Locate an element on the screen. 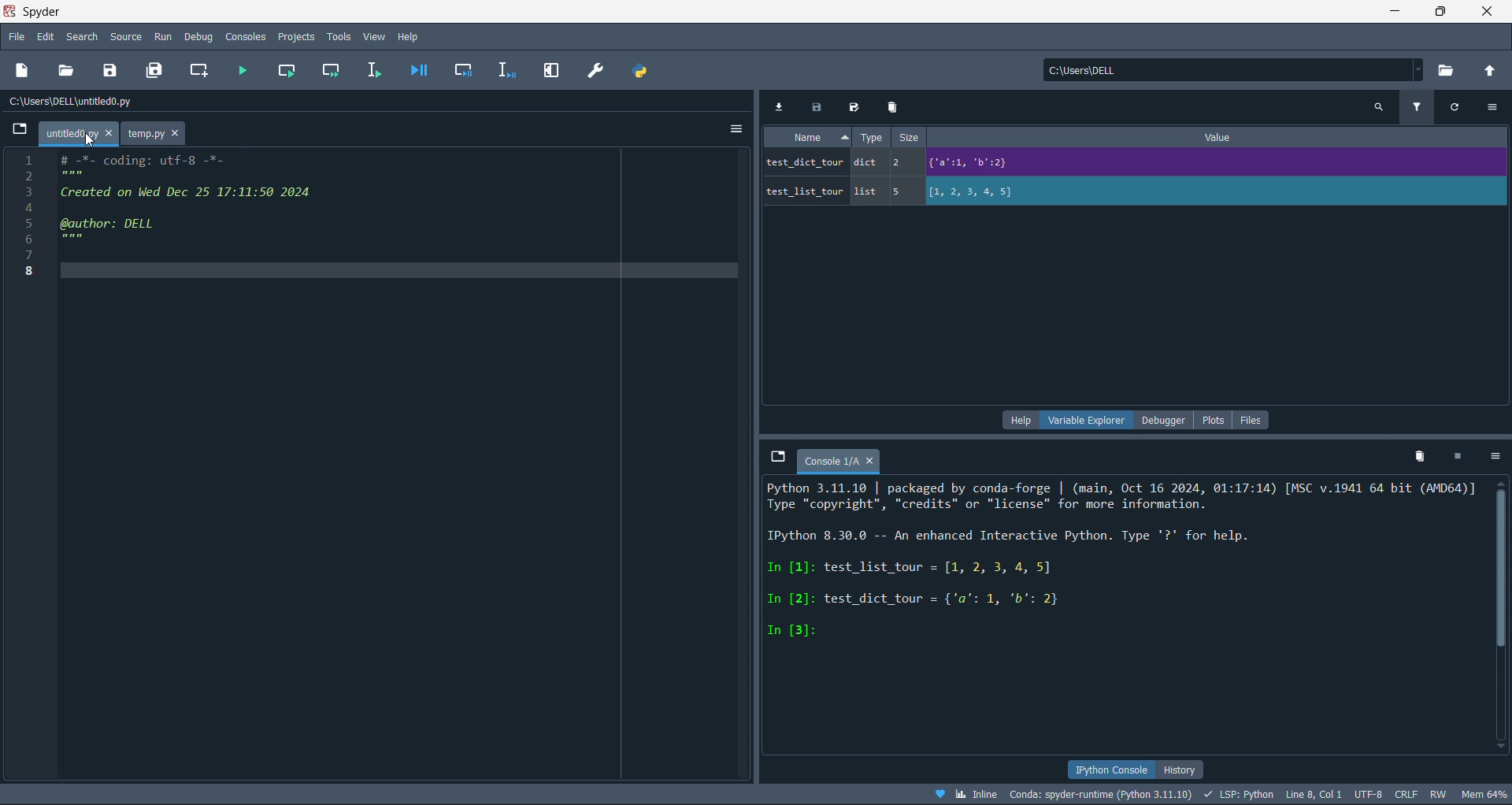  remove variable is located at coordinates (895, 107).